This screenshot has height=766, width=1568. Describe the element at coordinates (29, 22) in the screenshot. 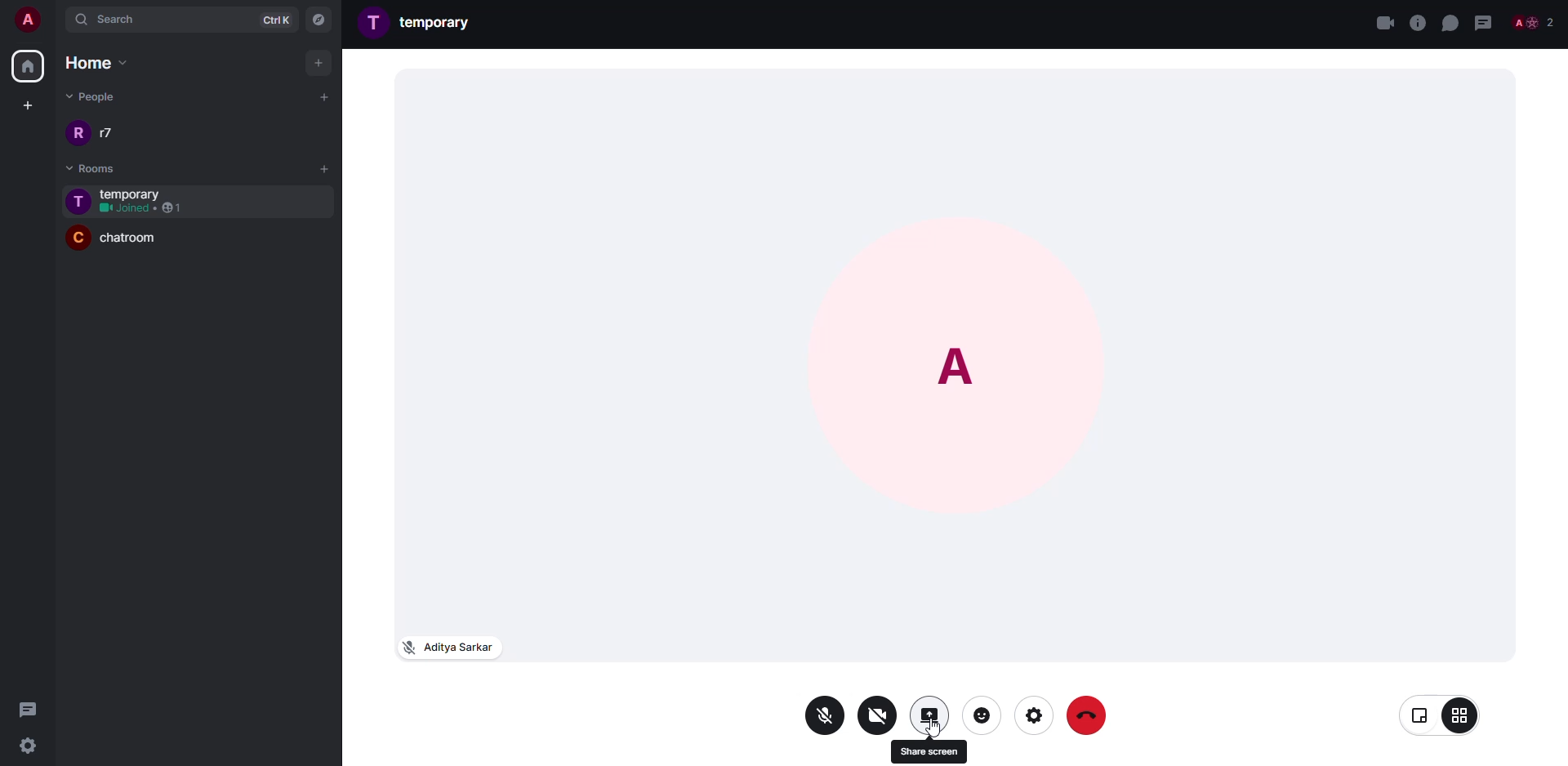

I see `account` at that location.